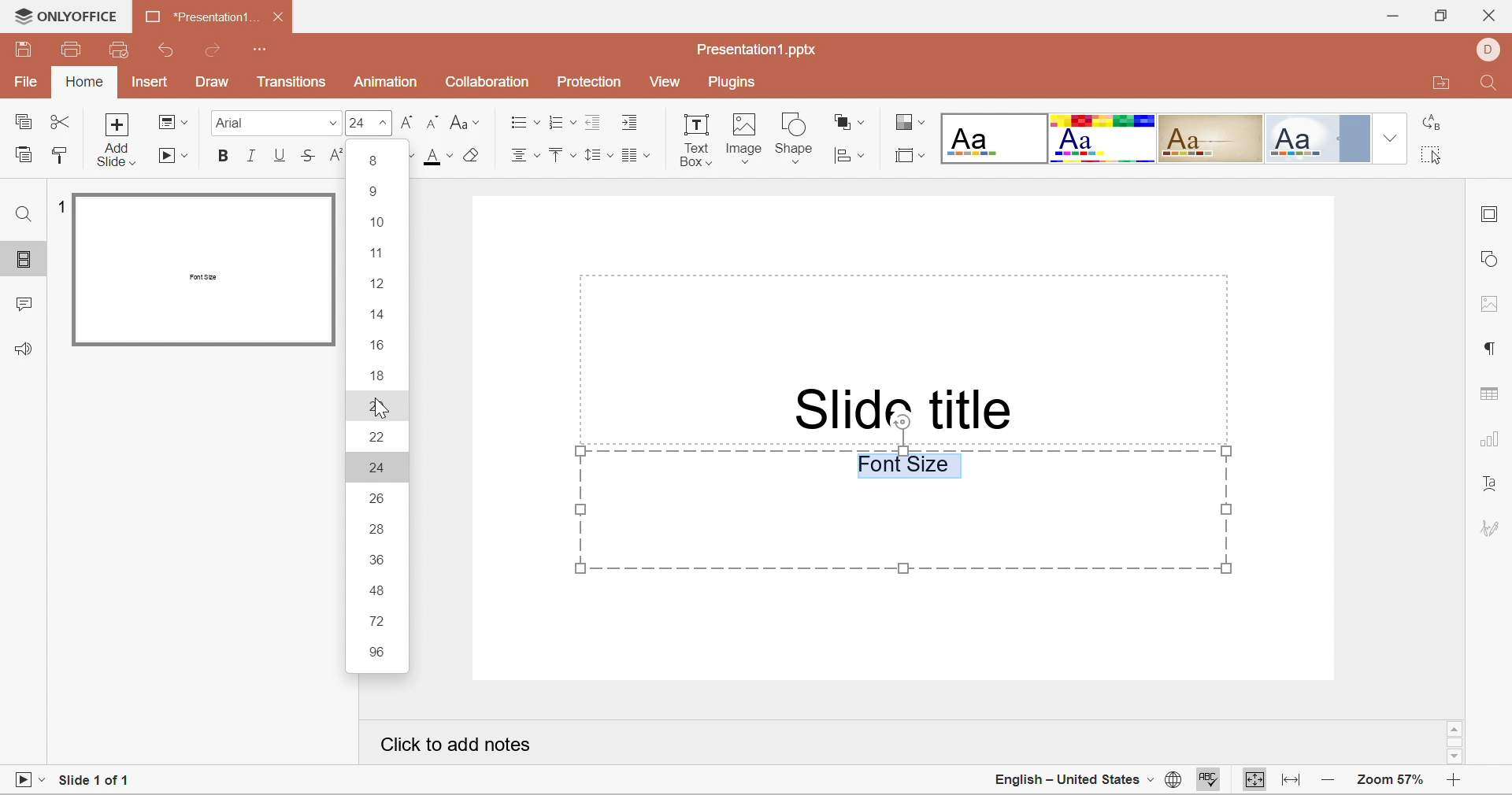 This screenshot has height=795, width=1512. Describe the element at coordinates (384, 468) in the screenshot. I see `24` at that location.